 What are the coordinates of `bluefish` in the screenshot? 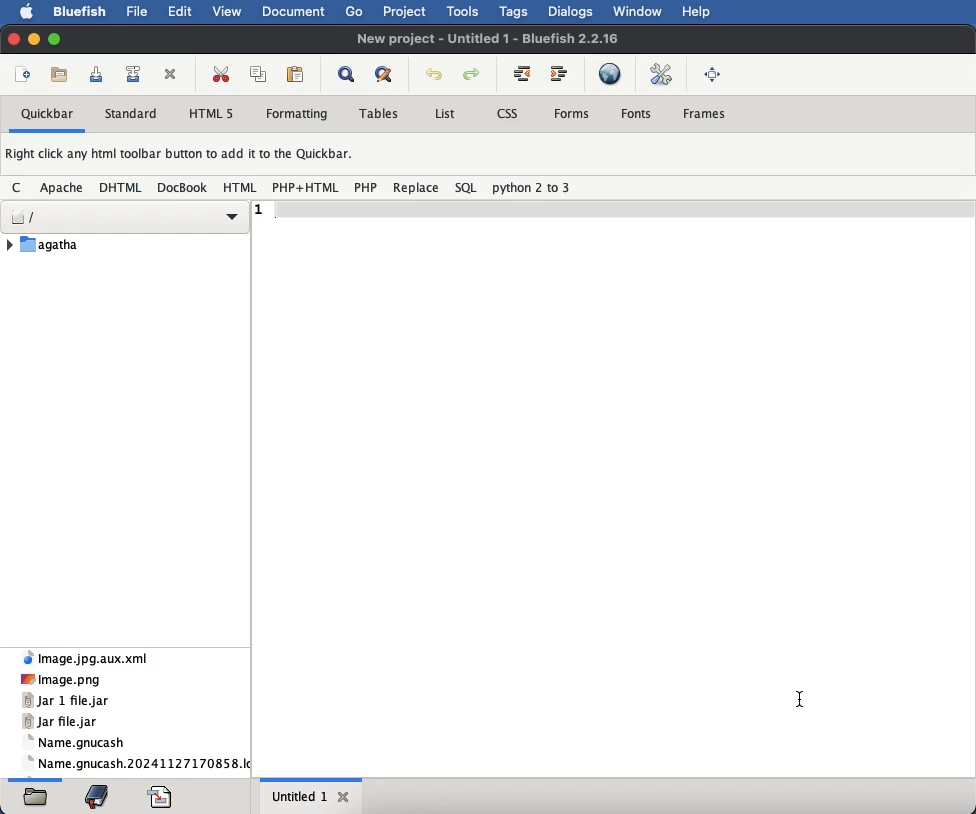 It's located at (79, 9).